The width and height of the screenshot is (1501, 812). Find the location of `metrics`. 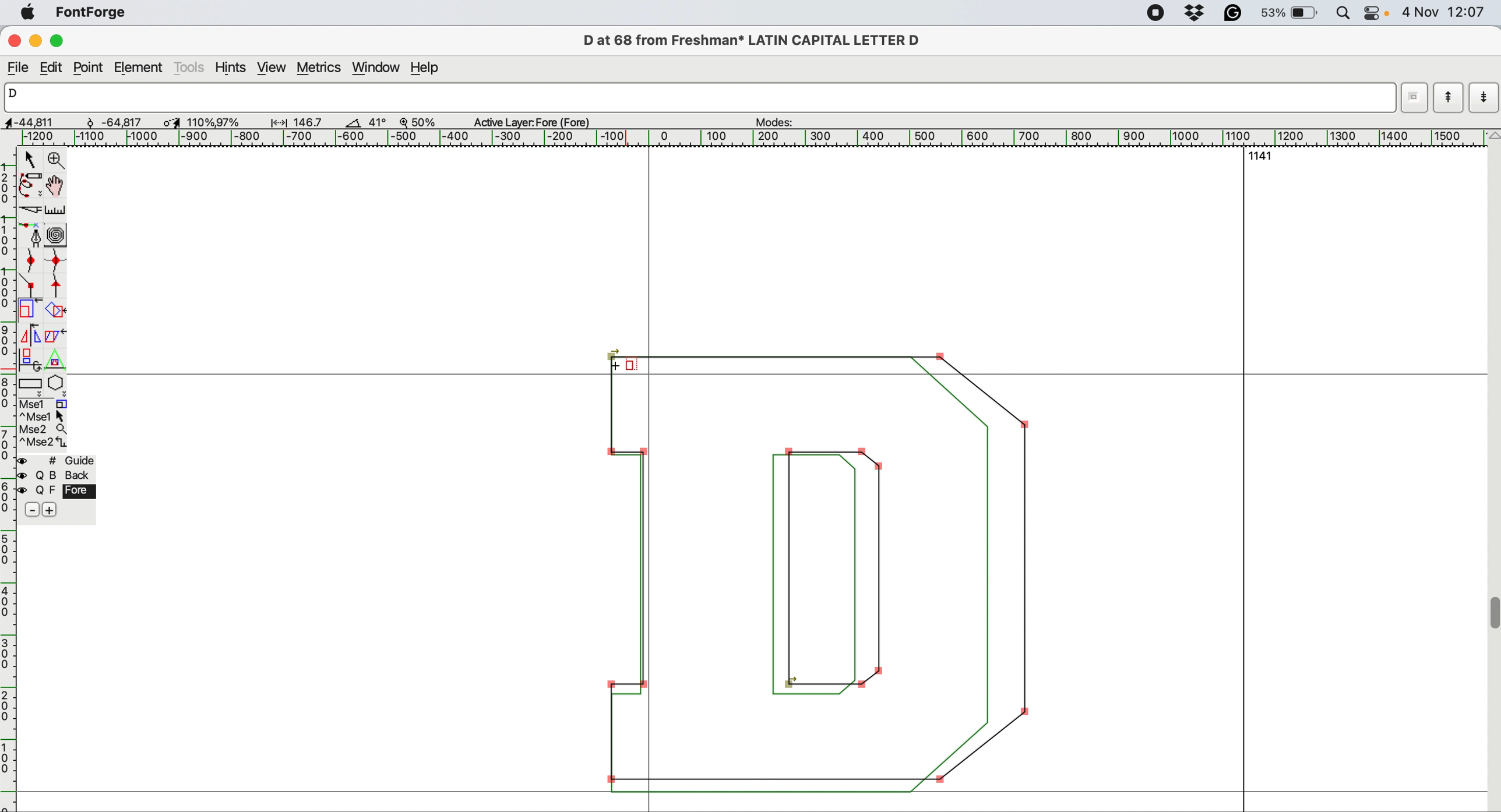

metrics is located at coordinates (320, 69).